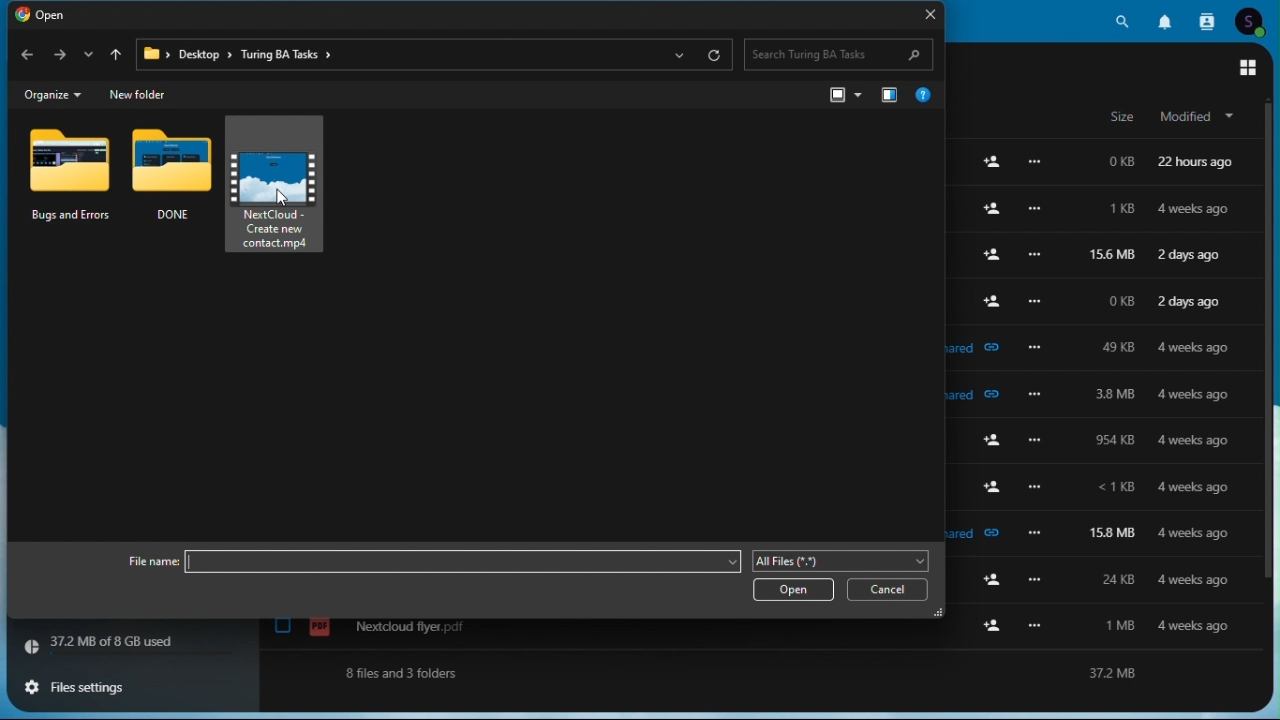  I want to click on shared, so click(972, 534).